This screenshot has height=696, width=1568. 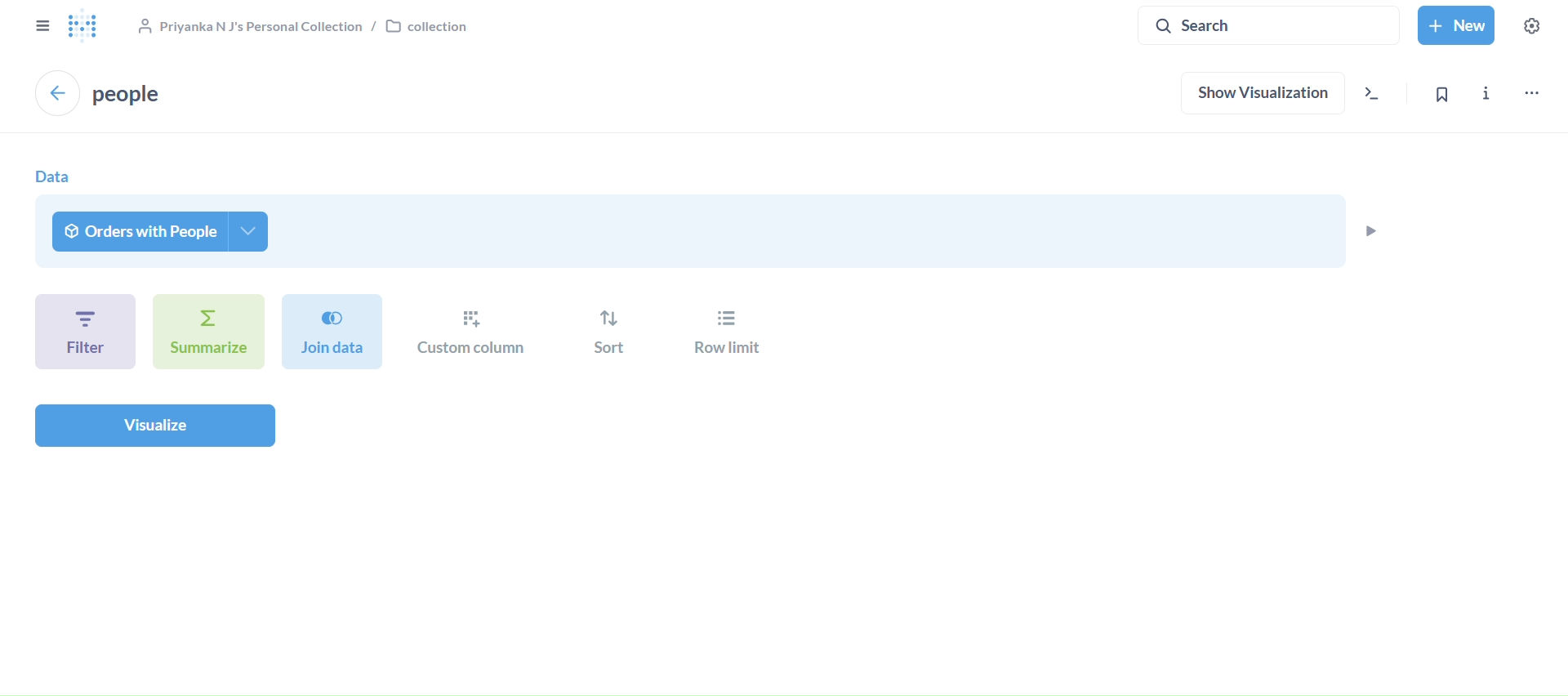 I want to click on move,trash and more.., so click(x=1531, y=94).